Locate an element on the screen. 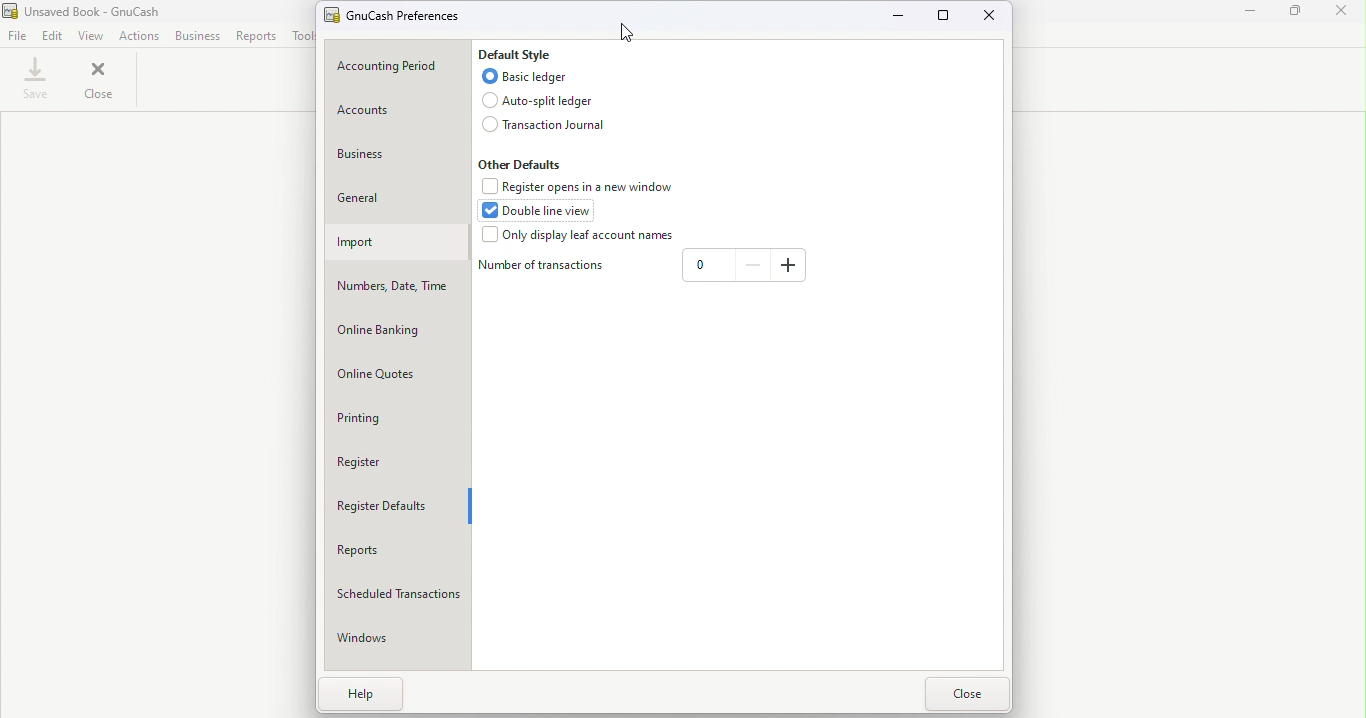  Maximize is located at coordinates (946, 19).